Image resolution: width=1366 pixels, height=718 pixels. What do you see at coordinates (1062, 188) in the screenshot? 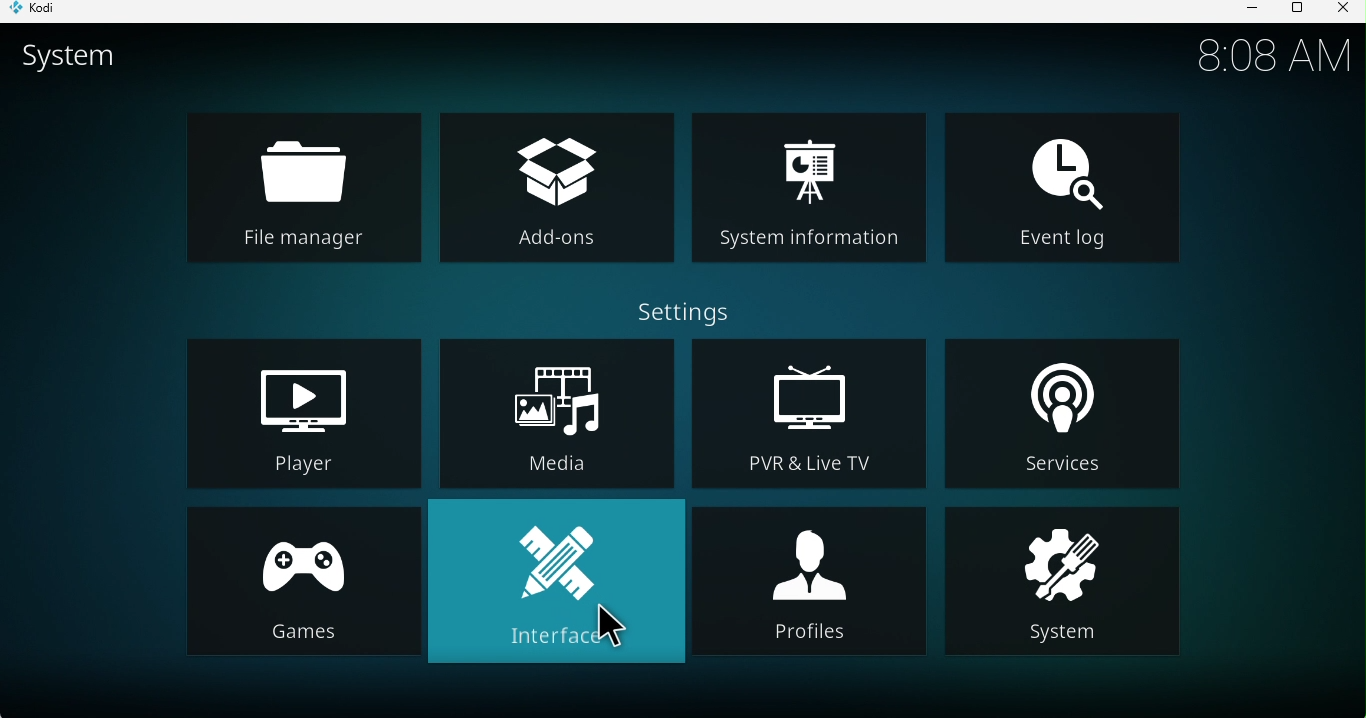
I see `Event log` at bounding box center [1062, 188].